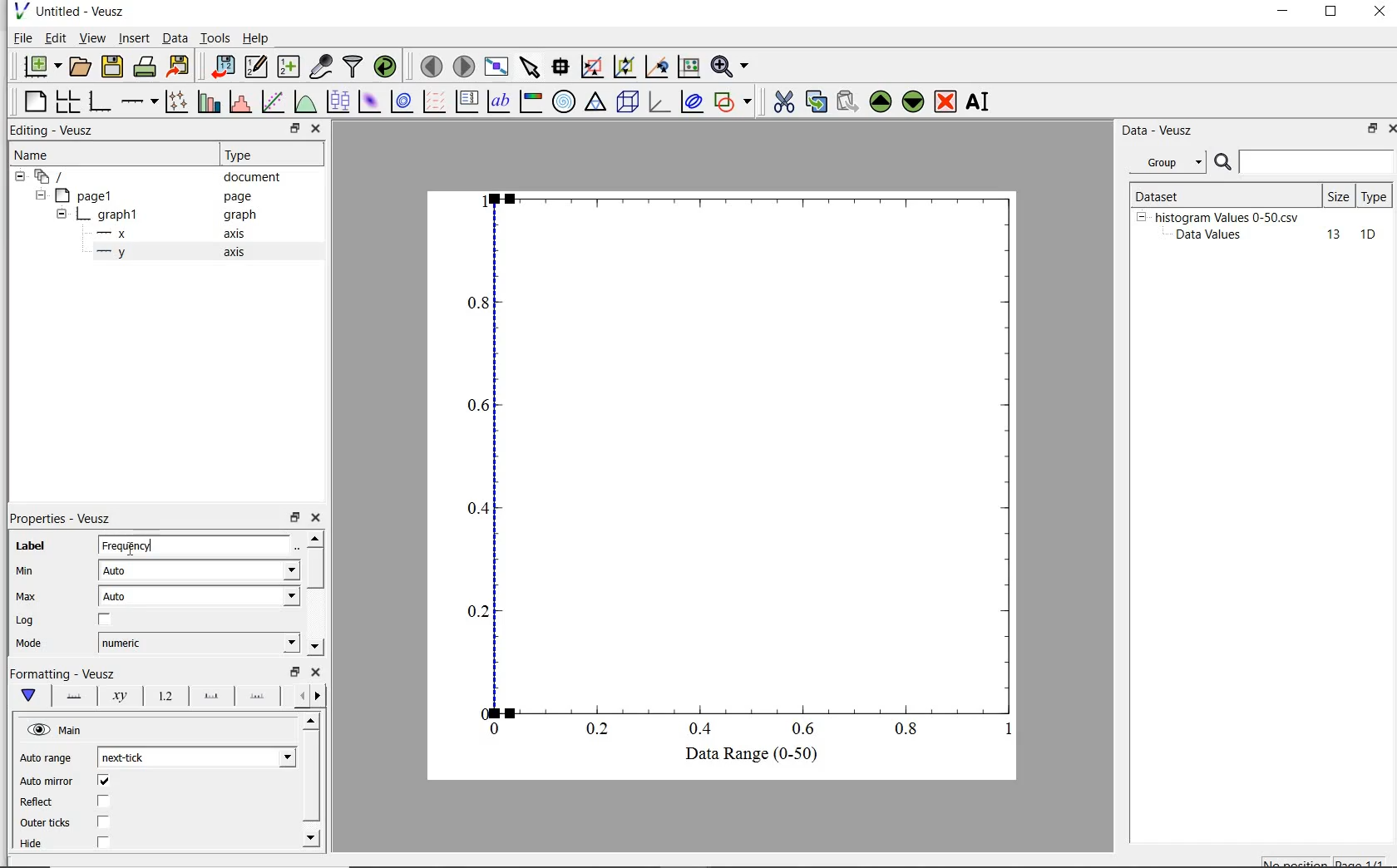 The image size is (1397, 868). I want to click on plot boxplots, so click(338, 101).